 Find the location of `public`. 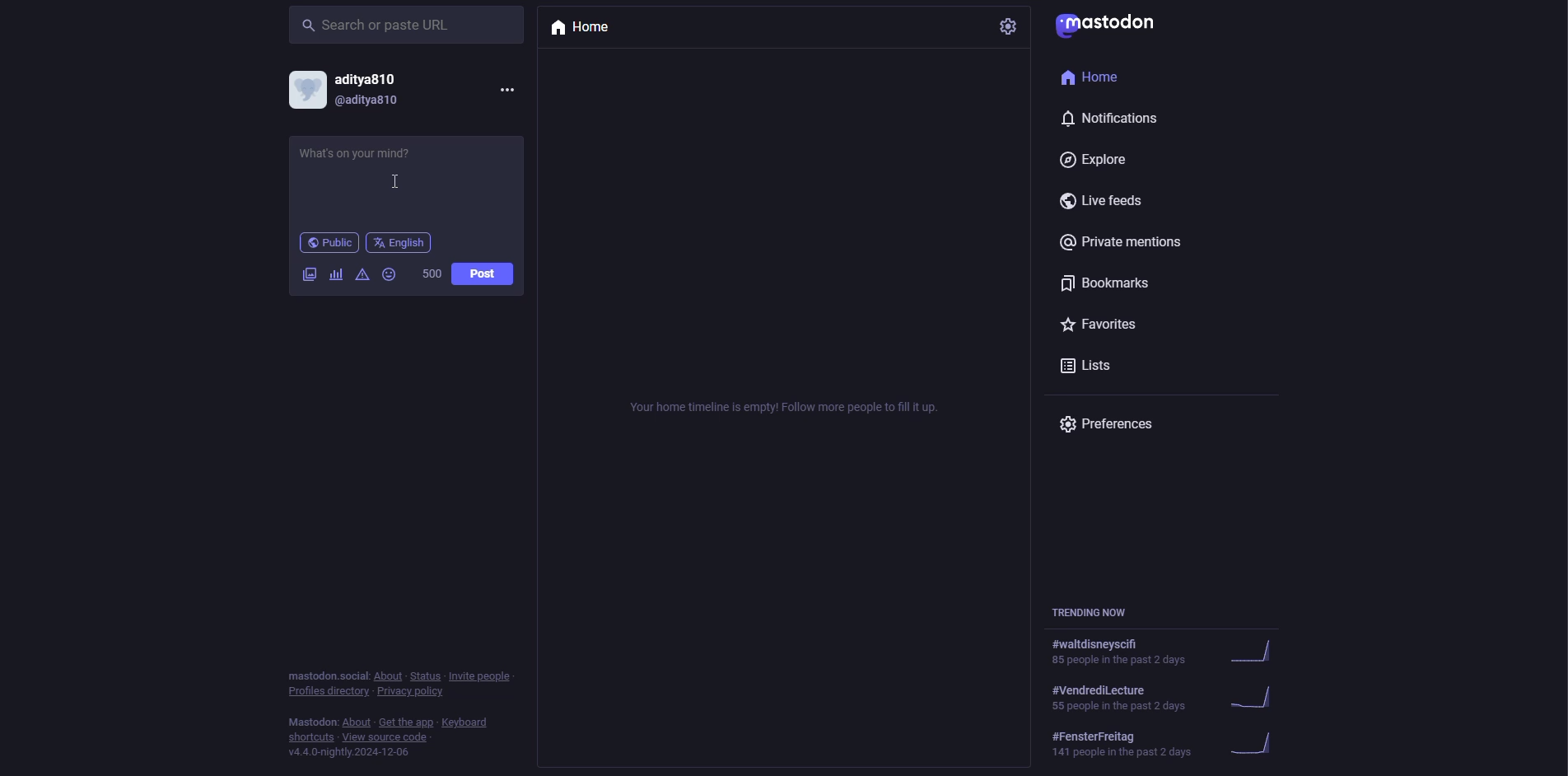

public is located at coordinates (329, 244).